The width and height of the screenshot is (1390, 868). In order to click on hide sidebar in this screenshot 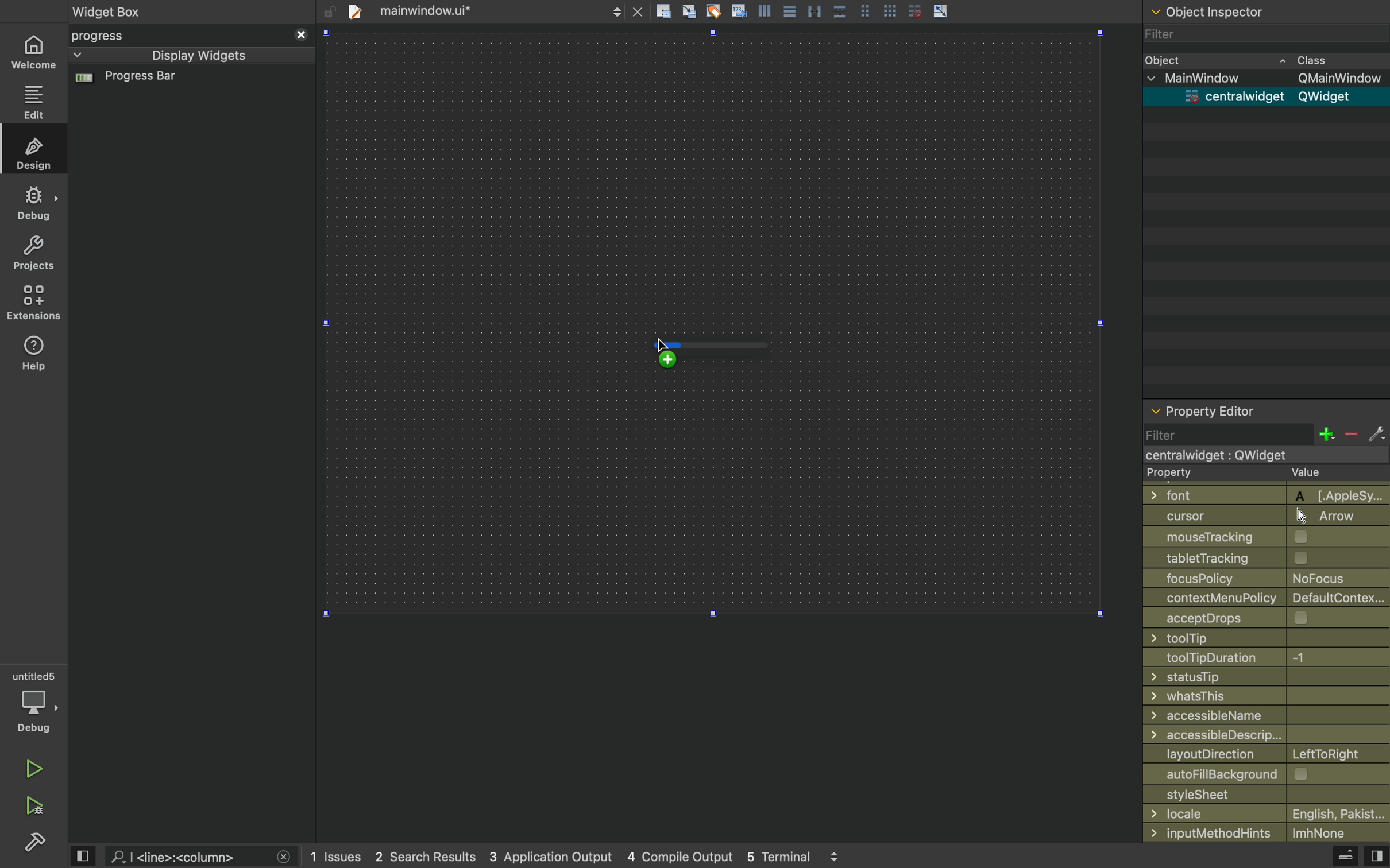, I will do `click(1334, 858)`.